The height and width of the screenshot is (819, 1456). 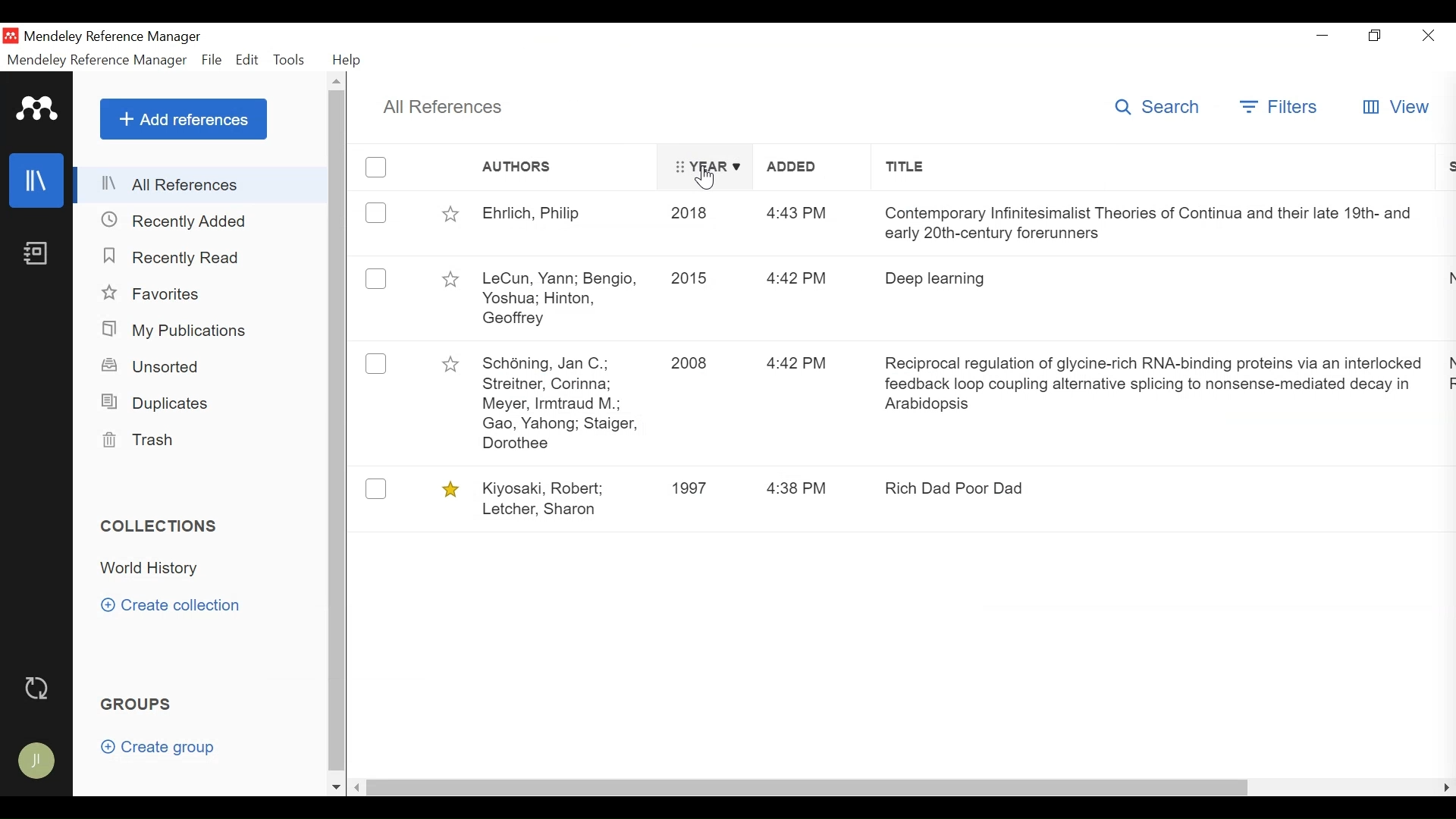 I want to click on Scroll down, so click(x=337, y=786).